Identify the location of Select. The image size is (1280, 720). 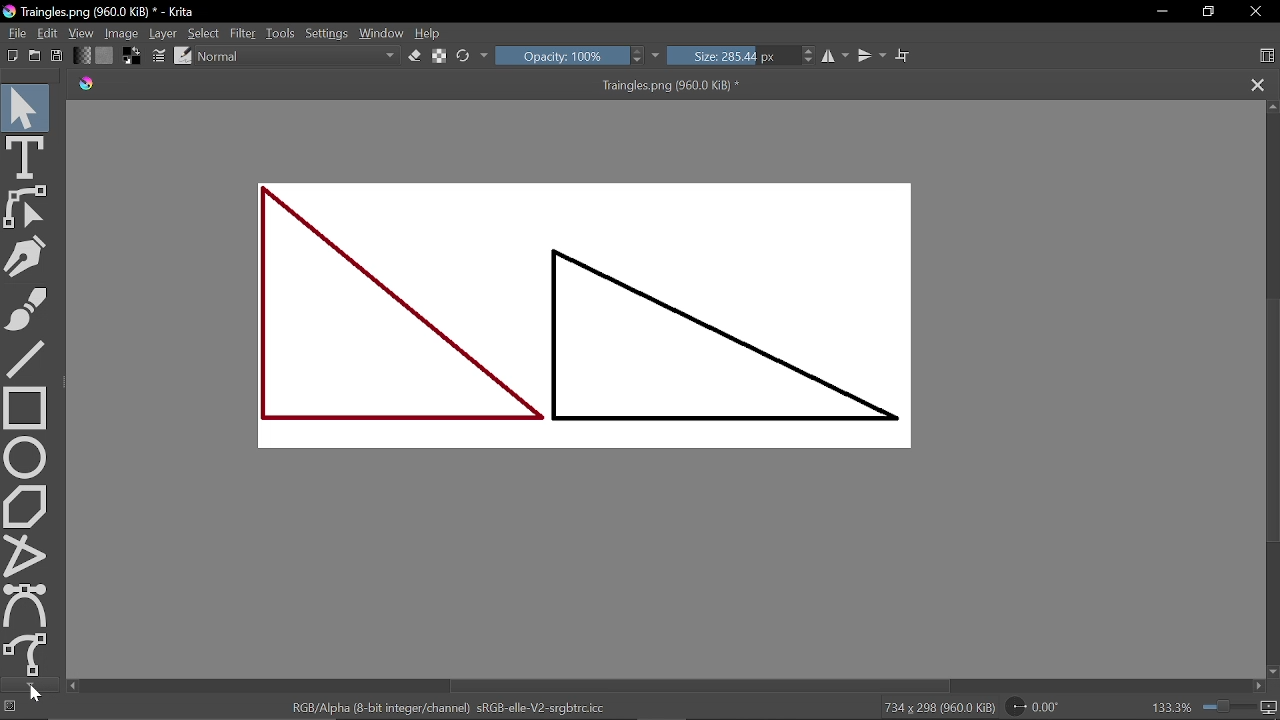
(205, 32).